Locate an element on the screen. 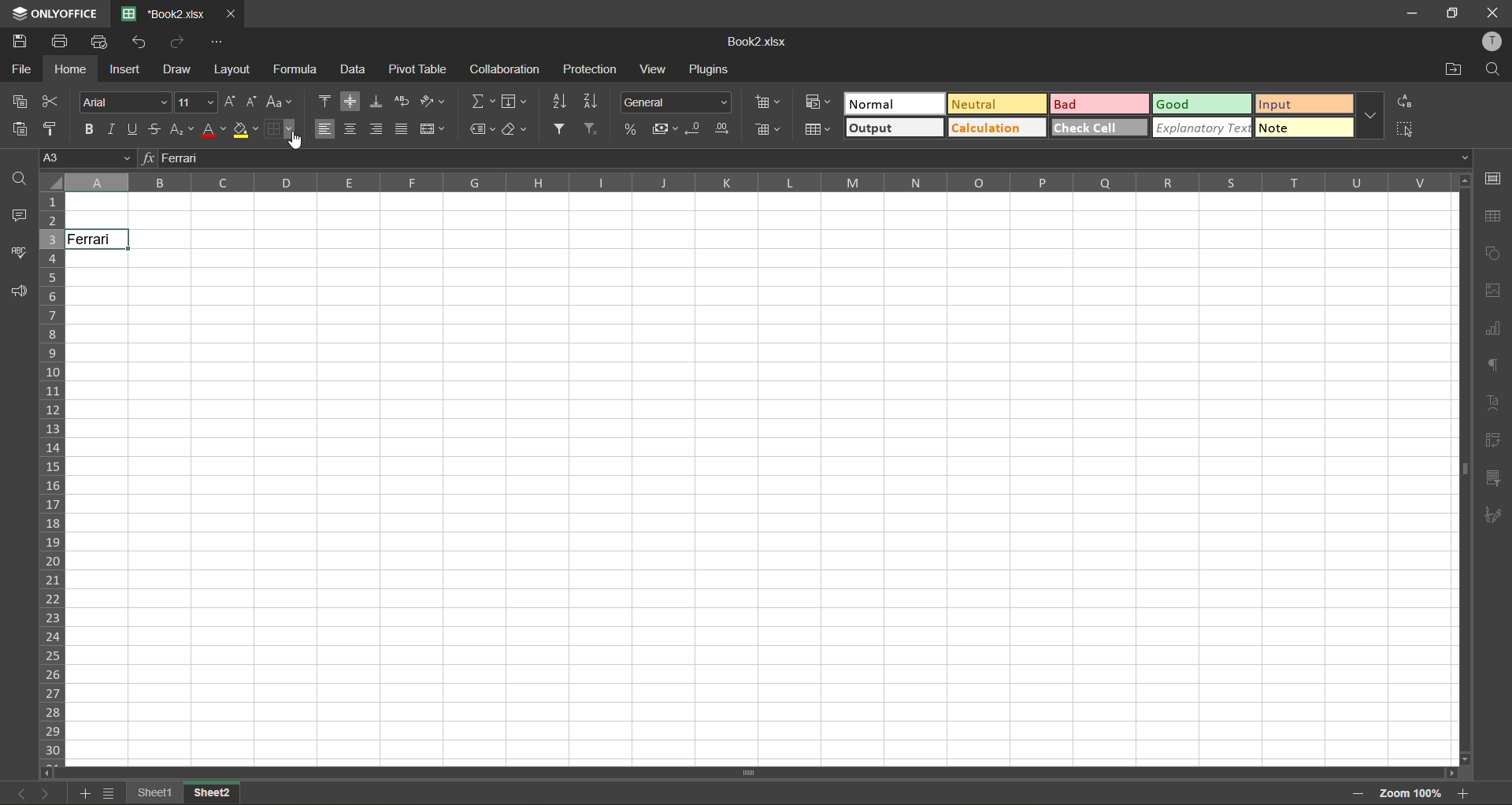 The image size is (1512, 805). cell settings is located at coordinates (1492, 178).